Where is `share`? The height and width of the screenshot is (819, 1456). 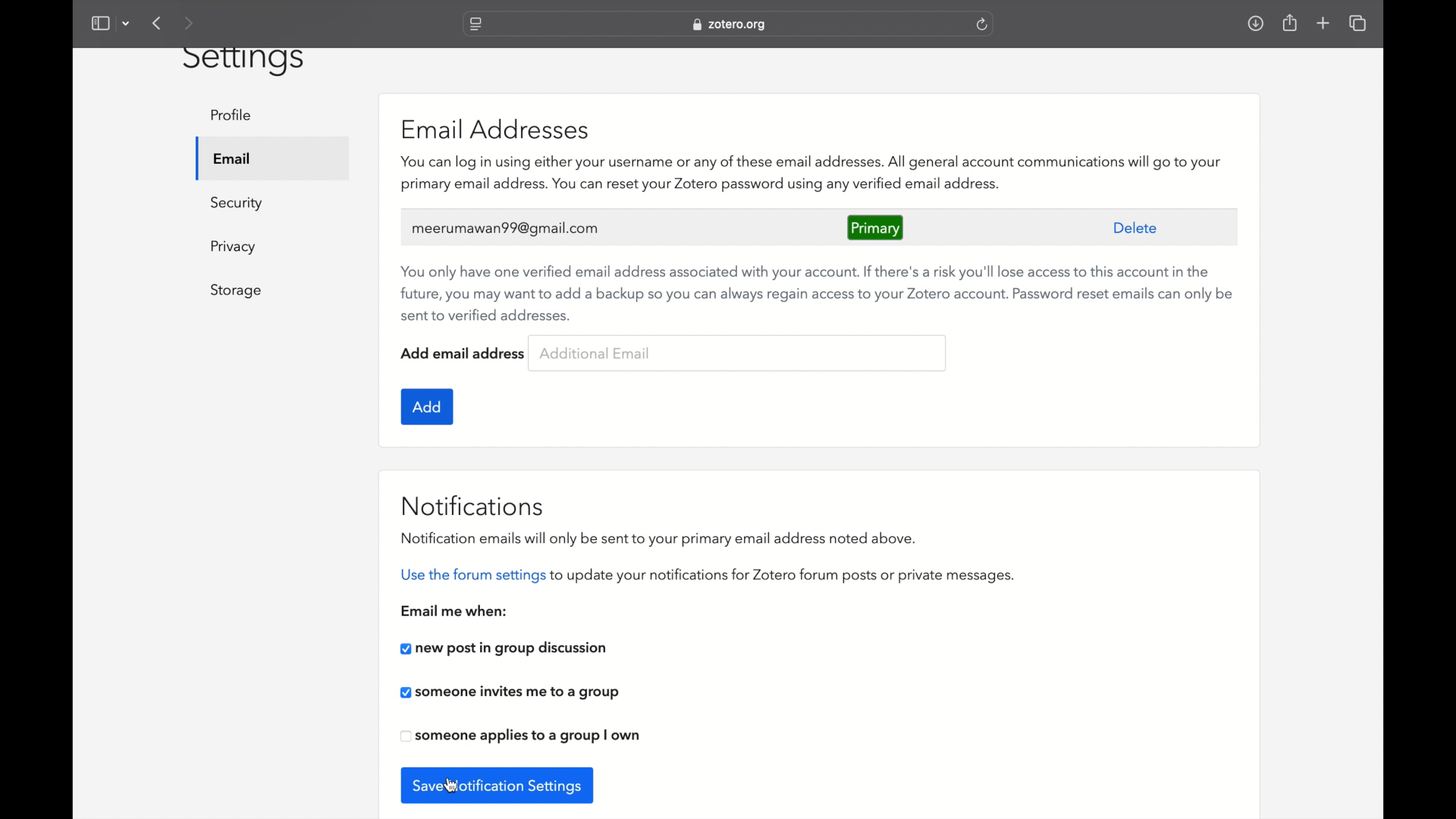 share is located at coordinates (1288, 23).